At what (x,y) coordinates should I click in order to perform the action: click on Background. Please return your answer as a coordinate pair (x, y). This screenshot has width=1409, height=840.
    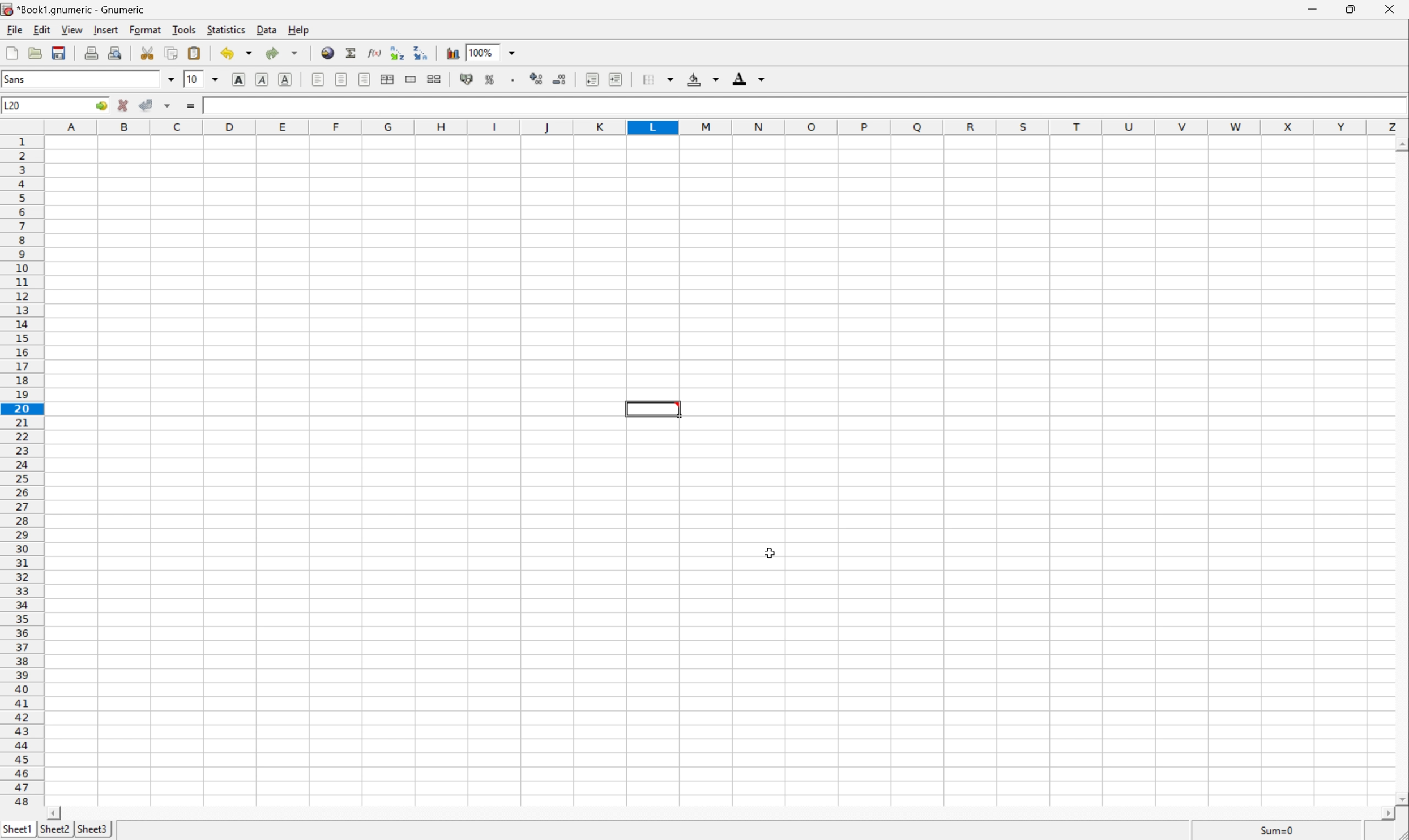
    Looking at the image, I should click on (703, 79).